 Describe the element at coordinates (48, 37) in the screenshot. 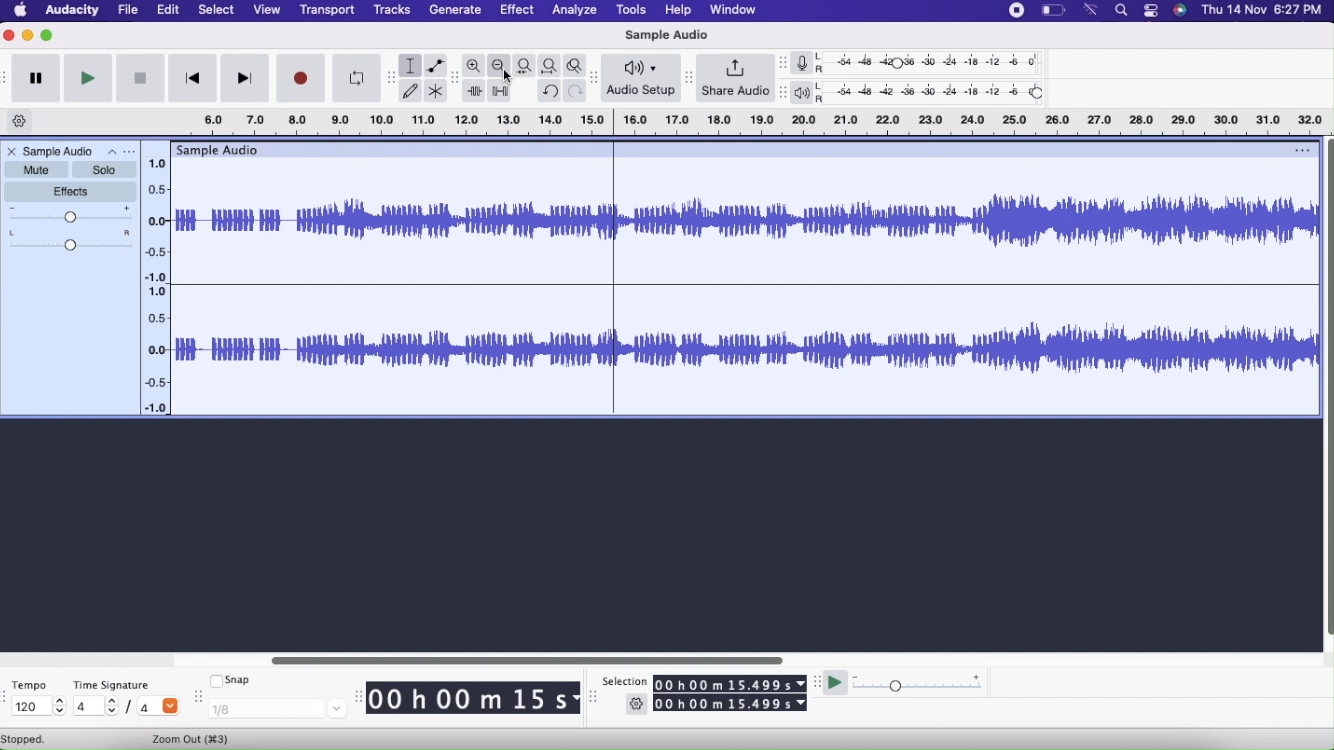

I see `Maximize` at that location.